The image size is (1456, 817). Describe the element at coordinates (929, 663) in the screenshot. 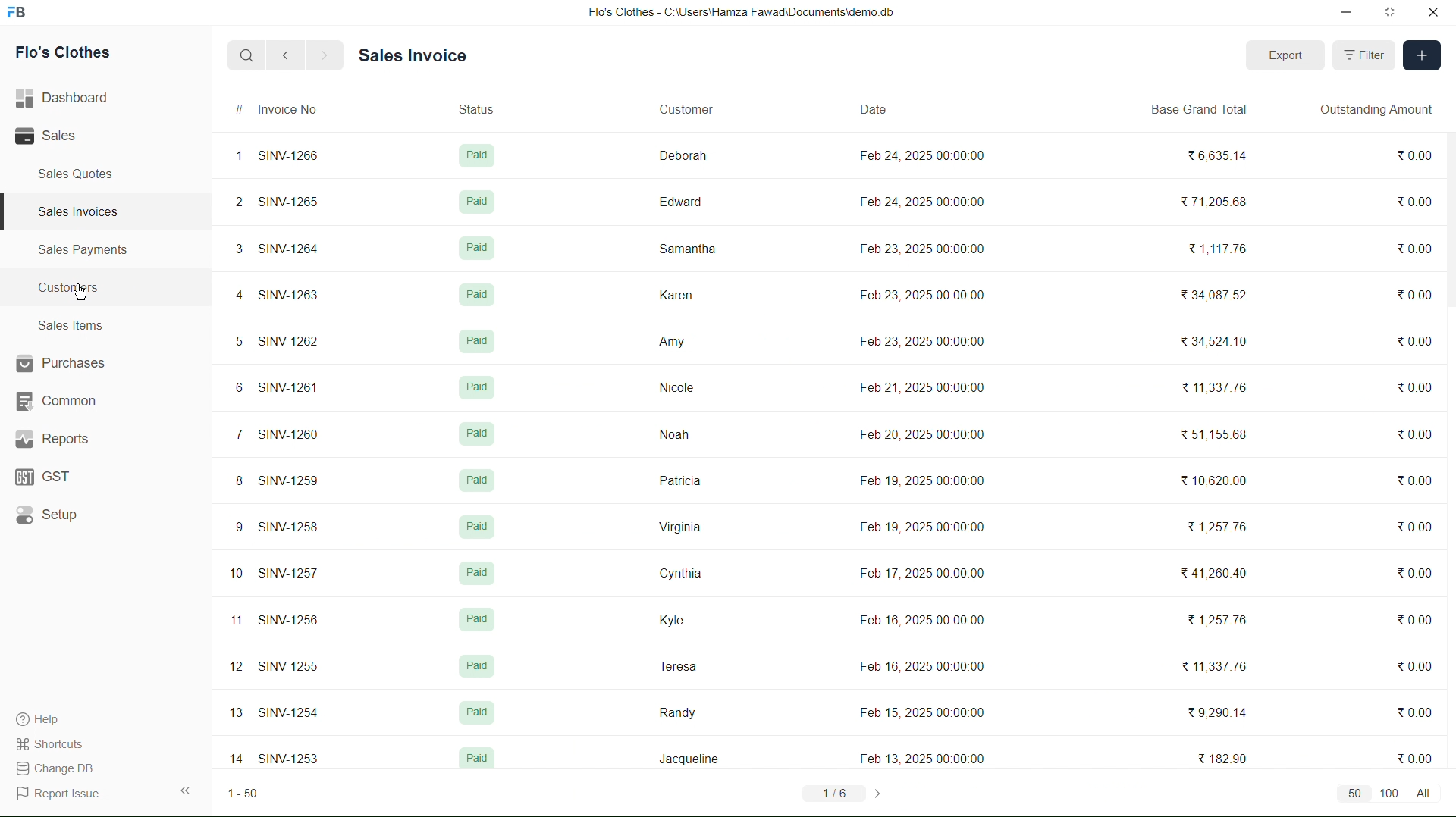

I see `Feb 16, 2025 00:00:00` at that location.